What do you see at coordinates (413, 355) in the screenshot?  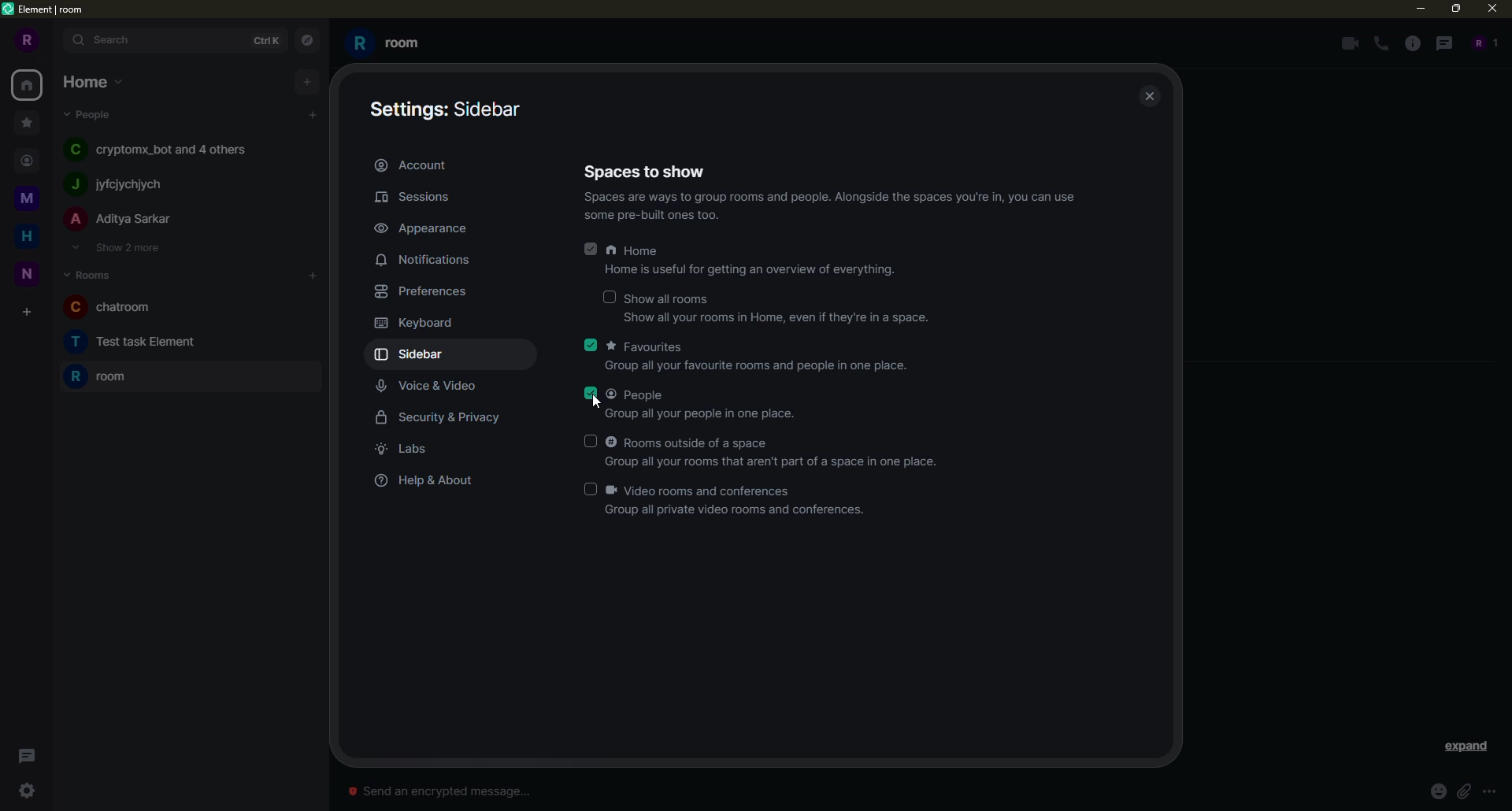 I see `sidebar` at bounding box center [413, 355].